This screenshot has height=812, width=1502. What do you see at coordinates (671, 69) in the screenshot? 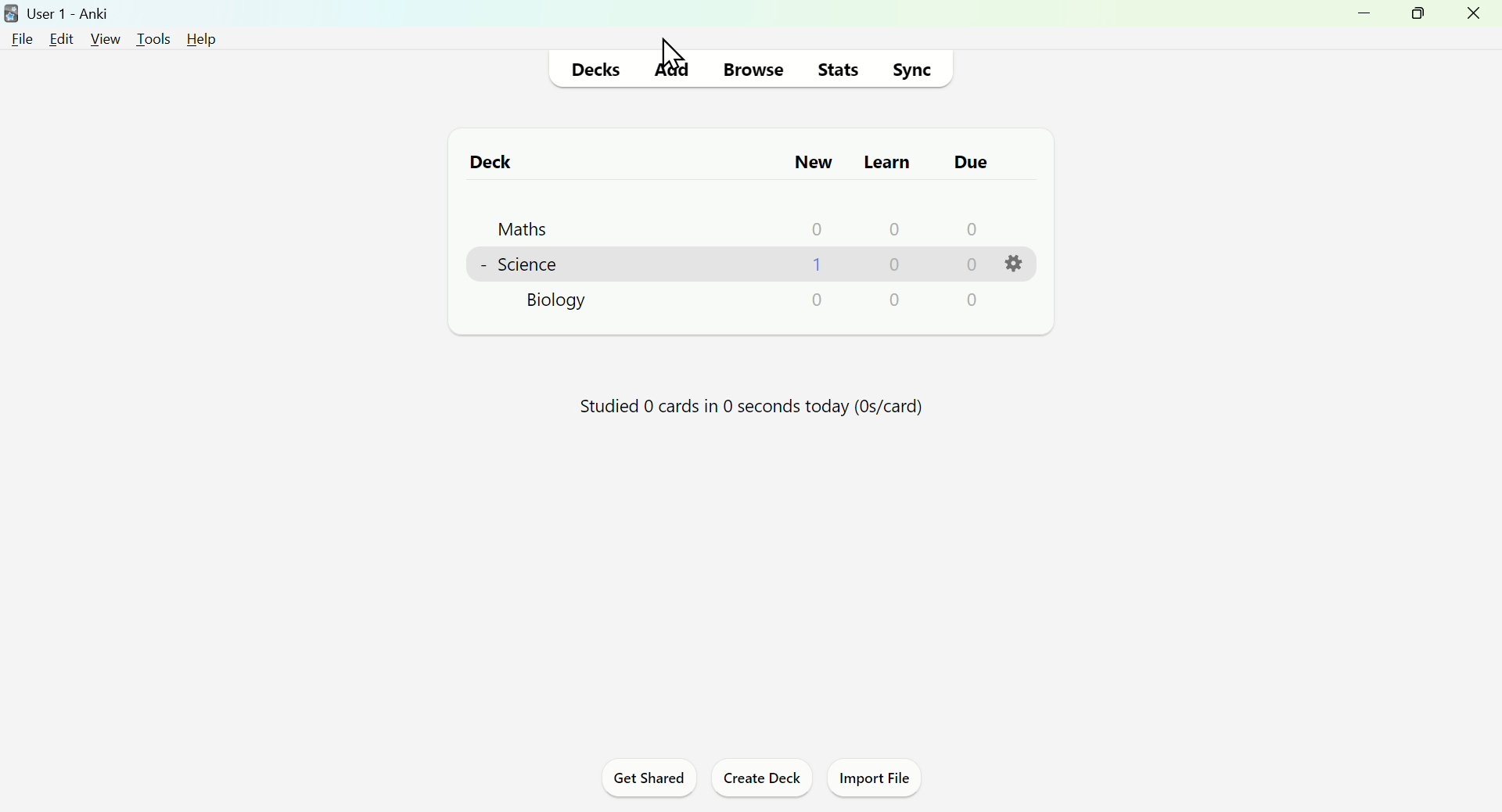
I see `Add` at bounding box center [671, 69].